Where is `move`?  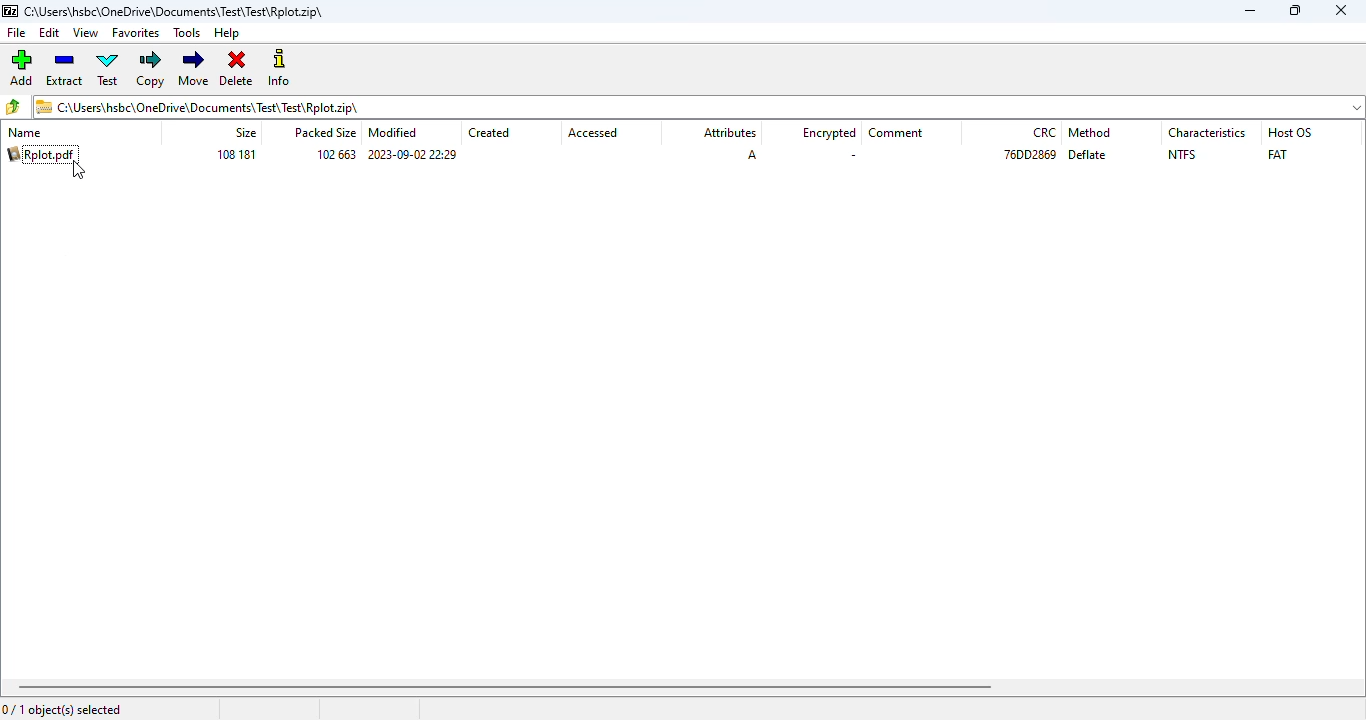 move is located at coordinates (194, 67).